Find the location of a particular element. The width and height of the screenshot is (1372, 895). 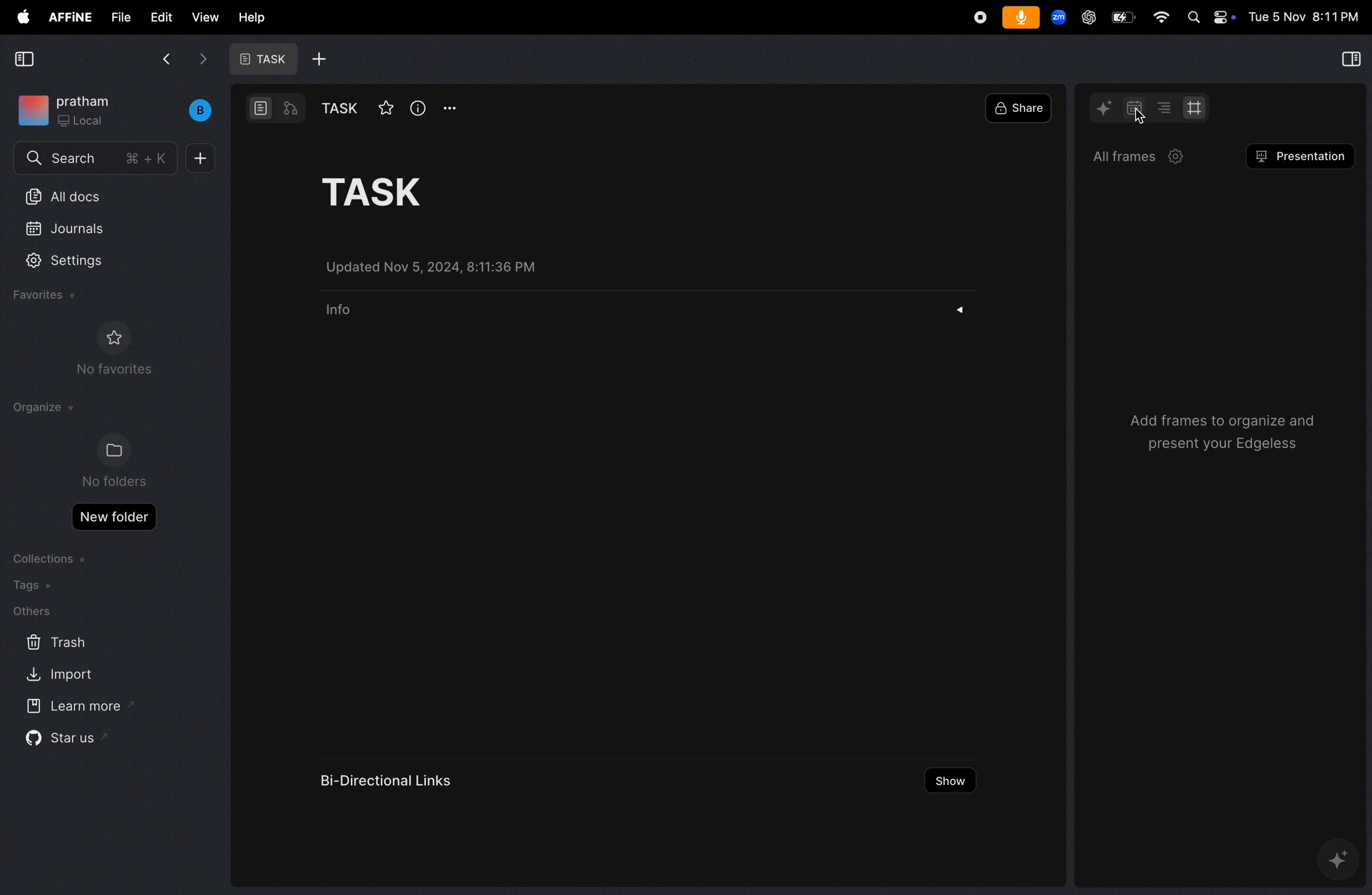

chatgpt is located at coordinates (1085, 17).